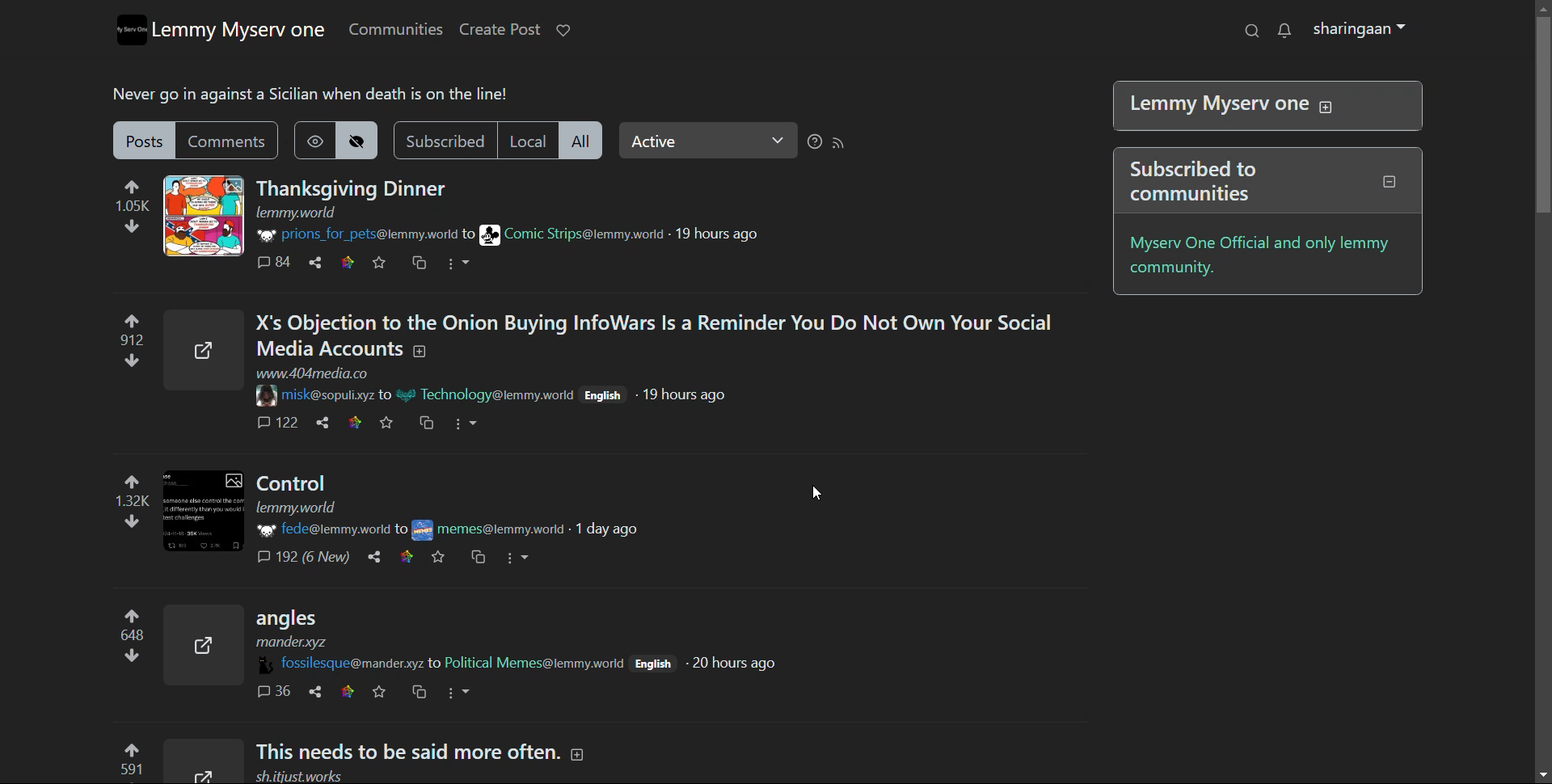 This screenshot has width=1552, height=784. Describe the element at coordinates (315, 262) in the screenshot. I see `share` at that location.